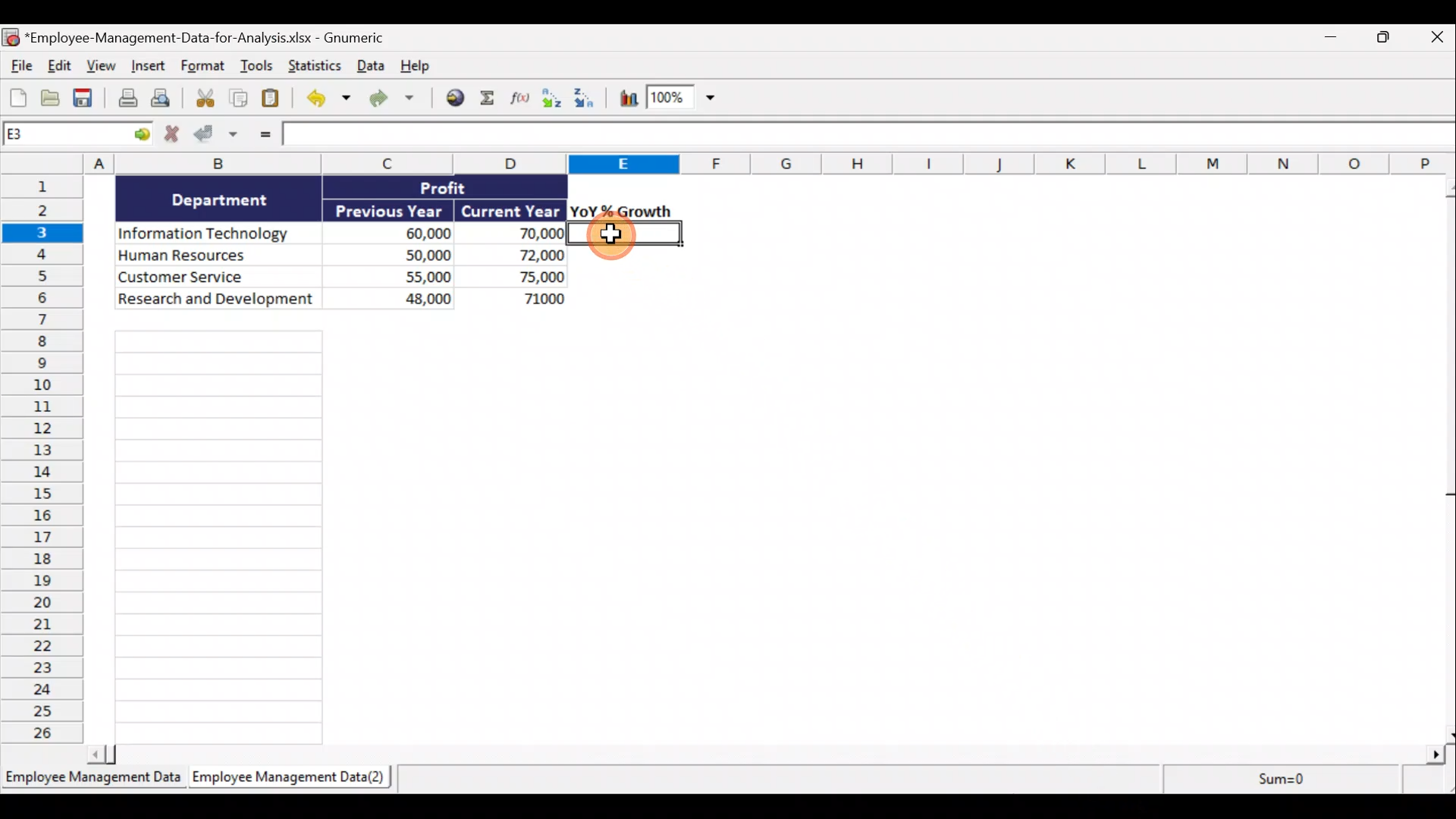  What do you see at coordinates (524, 102) in the screenshot?
I see `Edit a function in the current cell` at bounding box center [524, 102].